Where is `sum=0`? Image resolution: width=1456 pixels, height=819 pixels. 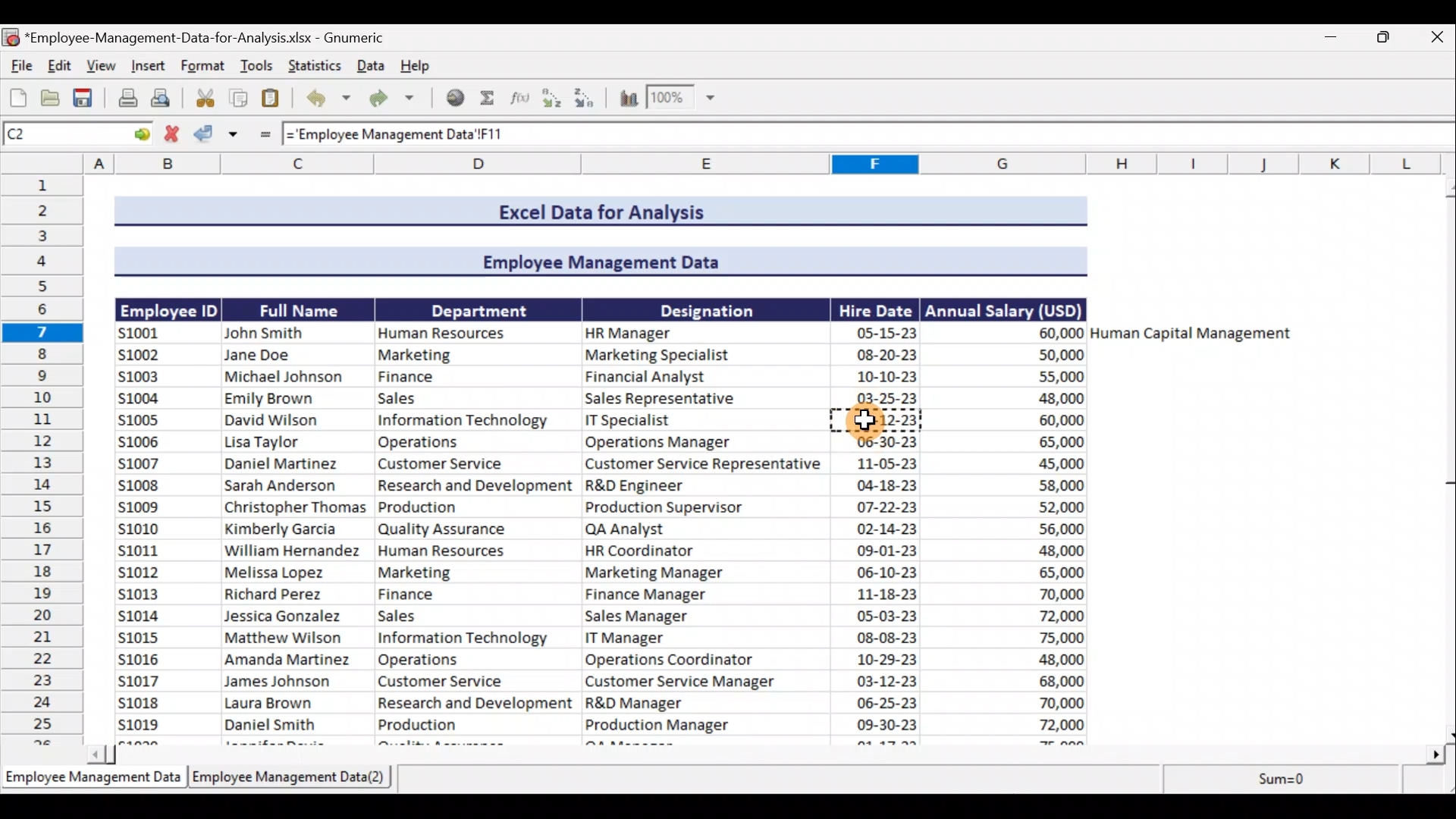 sum=0 is located at coordinates (1288, 782).